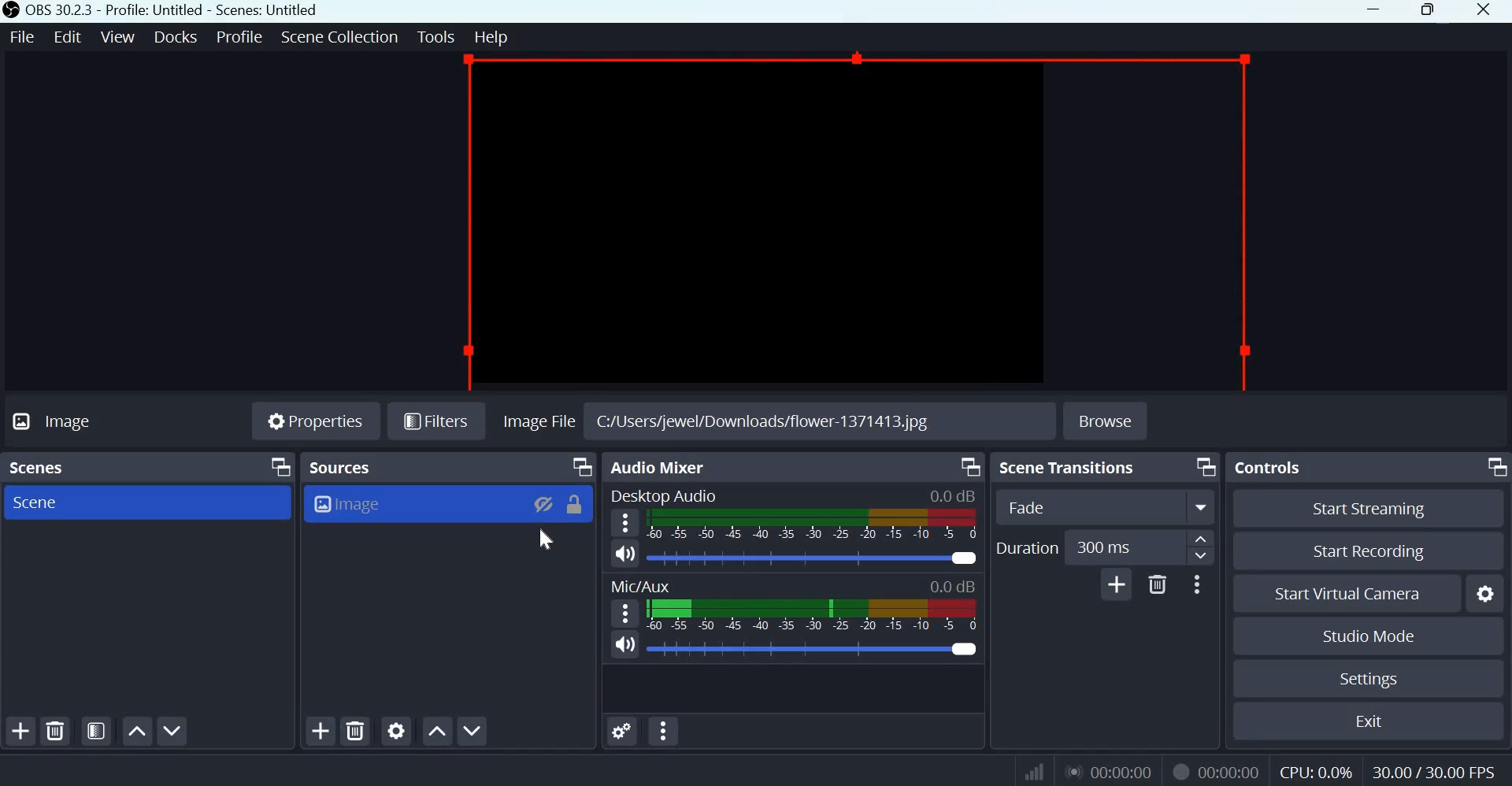 The image size is (1512, 786). What do you see at coordinates (239, 35) in the screenshot?
I see `Profile` at bounding box center [239, 35].